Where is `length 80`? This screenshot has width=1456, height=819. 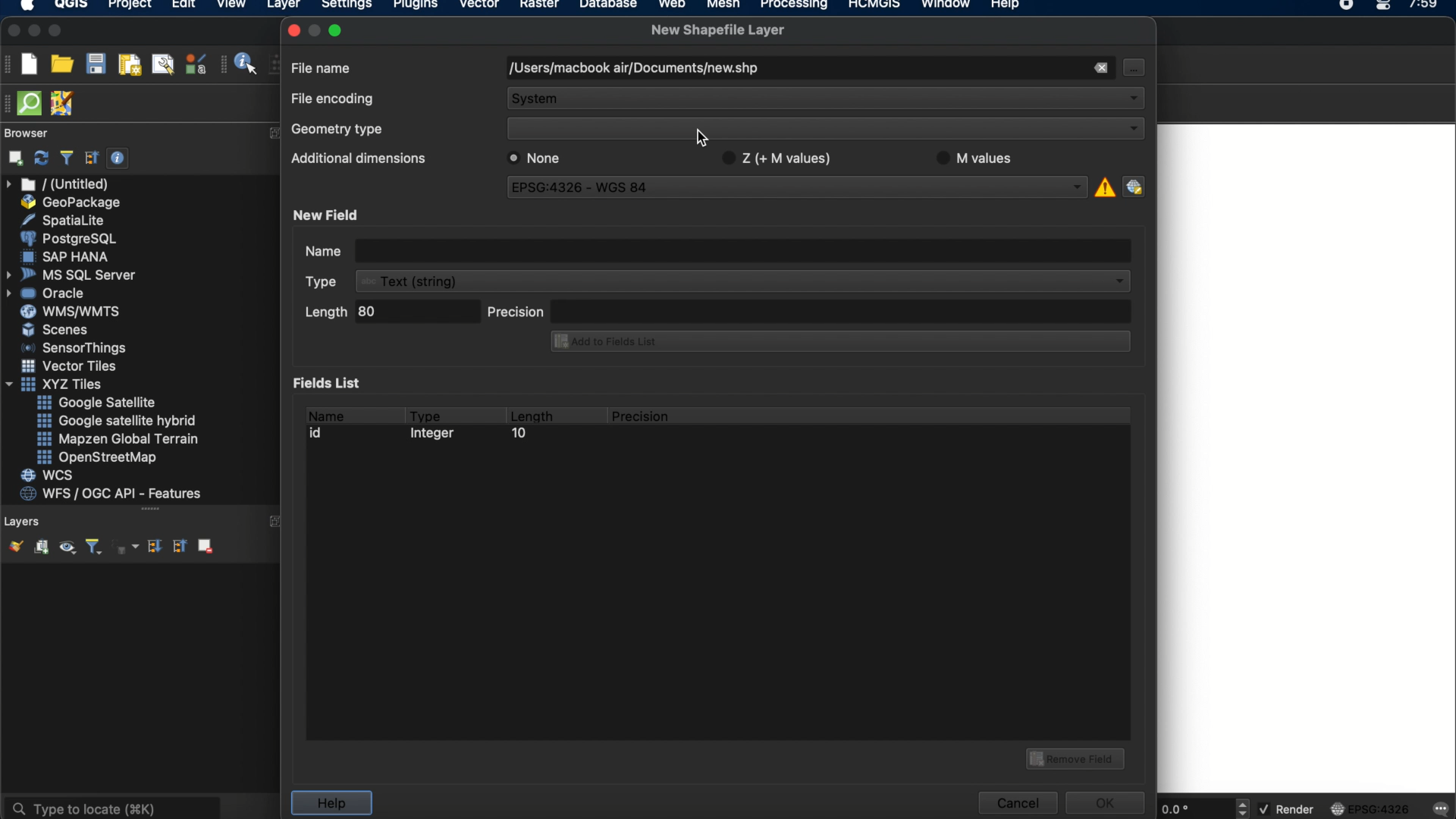
length 80 is located at coordinates (389, 314).